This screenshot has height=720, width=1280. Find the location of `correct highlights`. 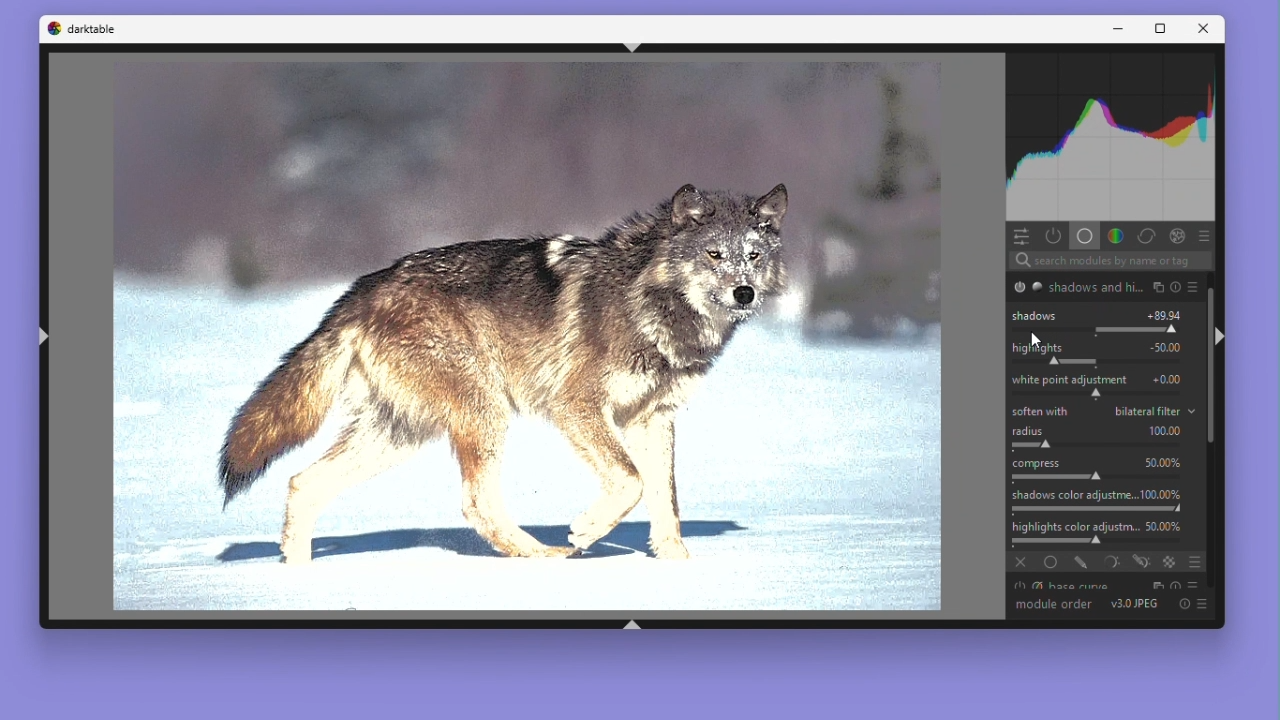

correct highlights is located at coordinates (1070, 361).